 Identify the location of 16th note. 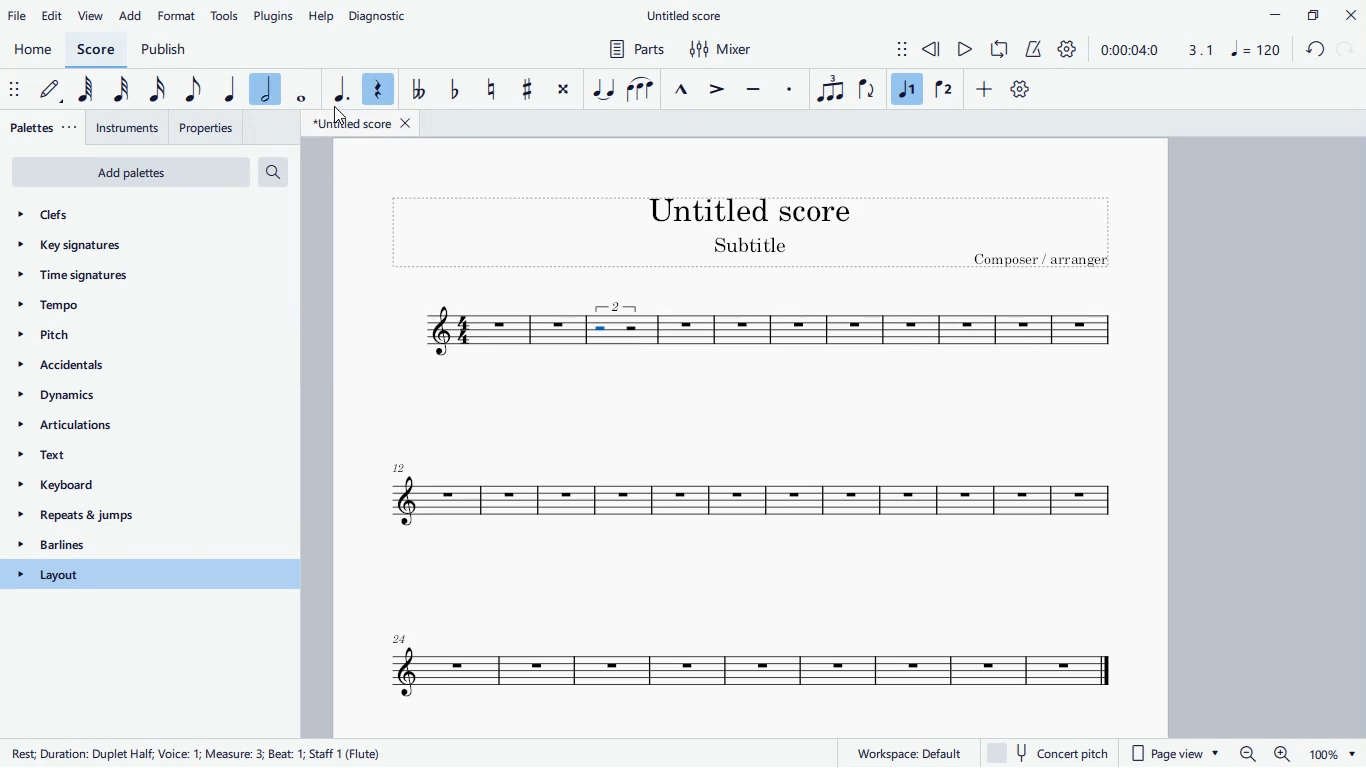
(158, 90).